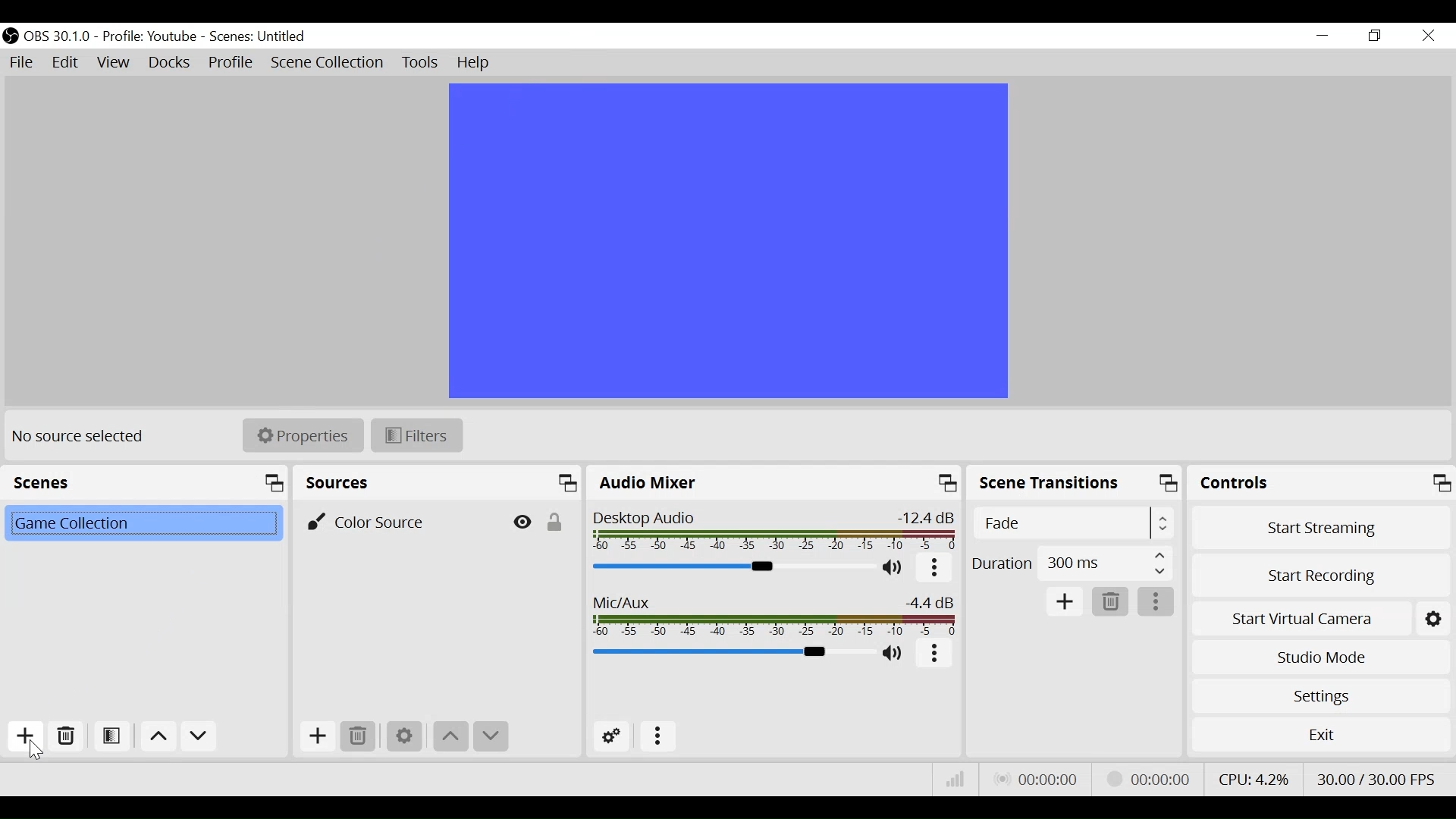 The width and height of the screenshot is (1456, 819). What do you see at coordinates (24, 736) in the screenshot?
I see `Add` at bounding box center [24, 736].